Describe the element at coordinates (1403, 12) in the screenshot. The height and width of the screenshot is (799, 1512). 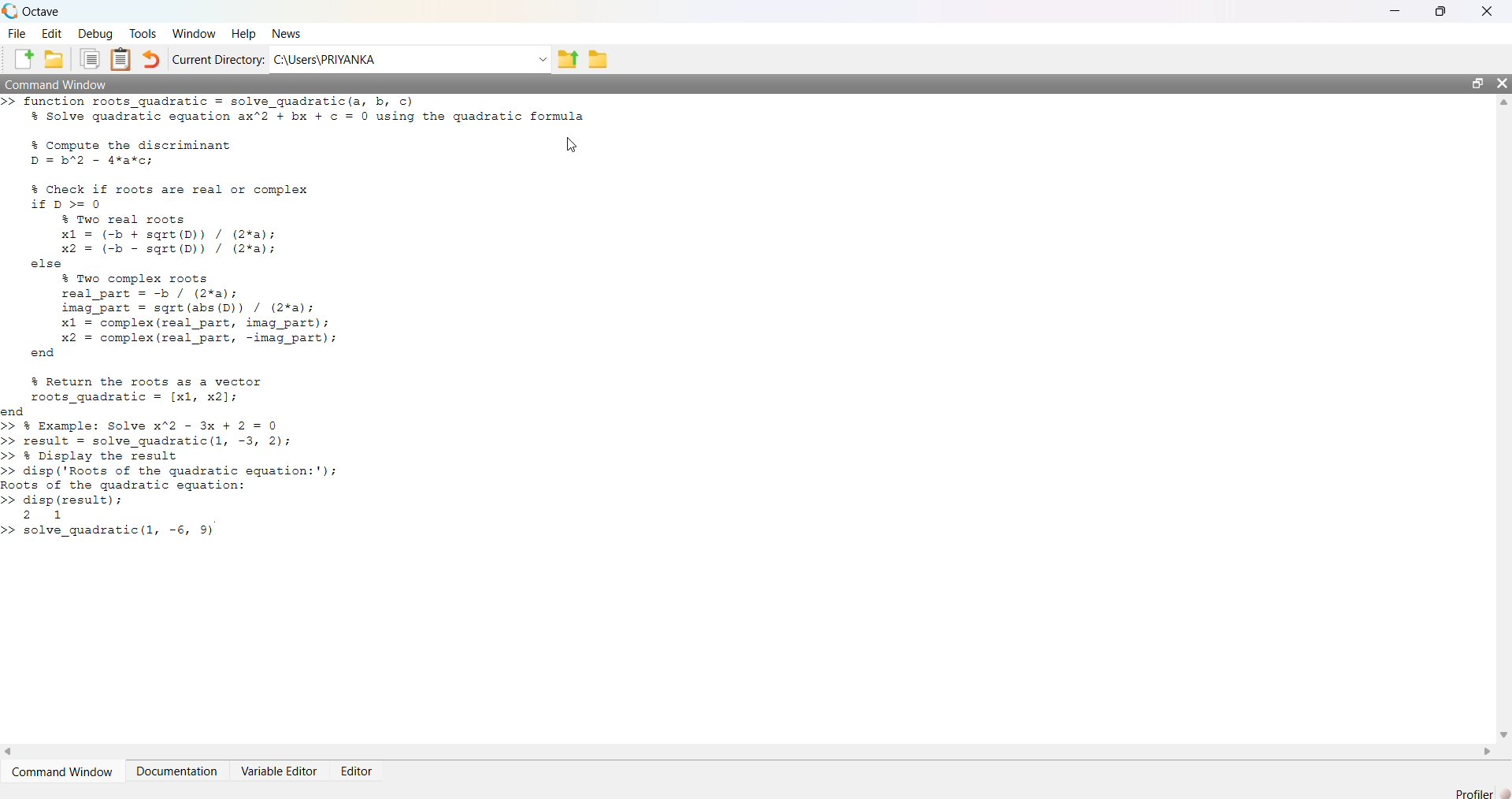
I see `Minimize` at that location.